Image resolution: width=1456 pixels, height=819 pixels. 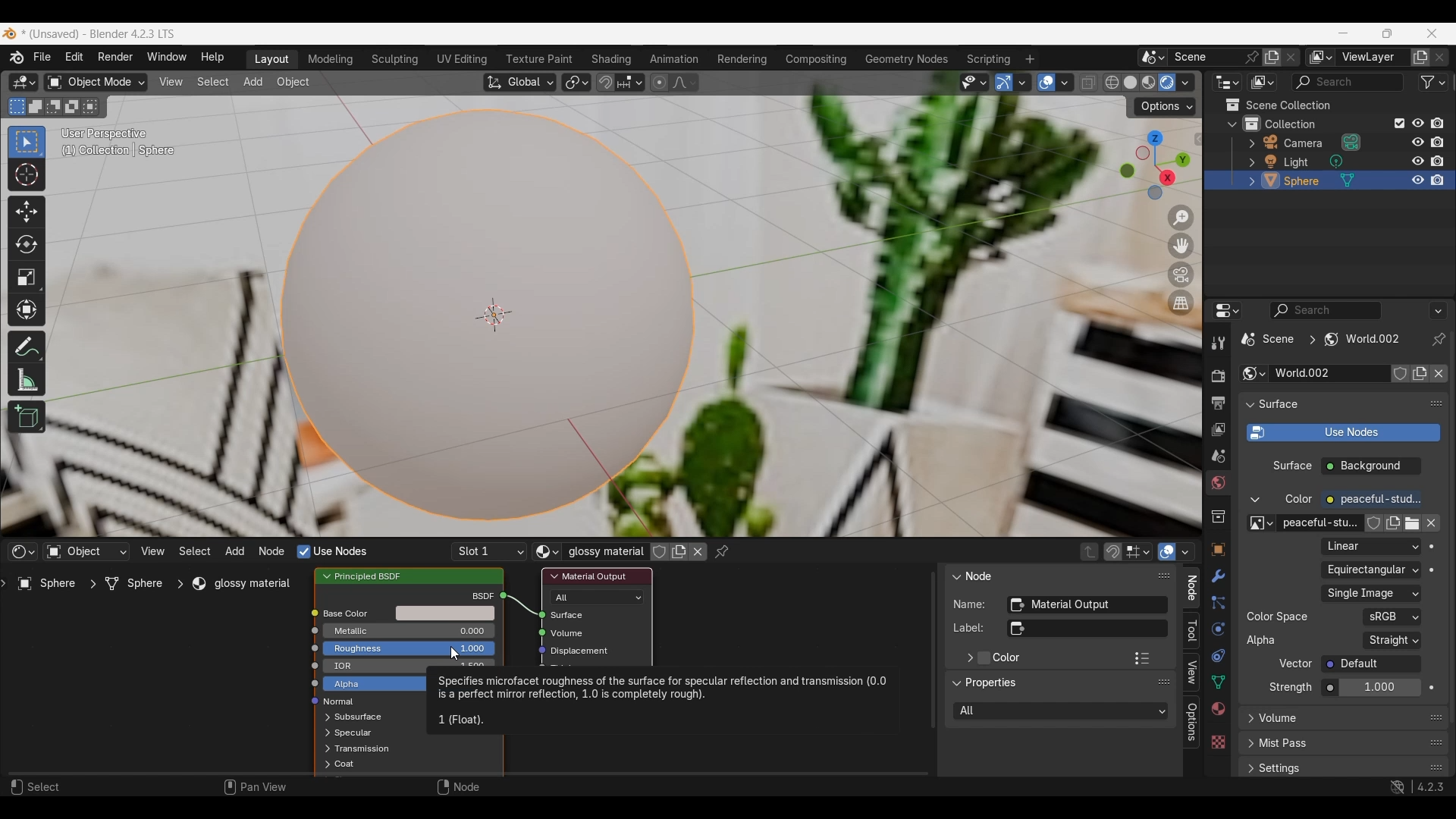 What do you see at coordinates (1432, 570) in the screenshot?
I see `Animate property` at bounding box center [1432, 570].